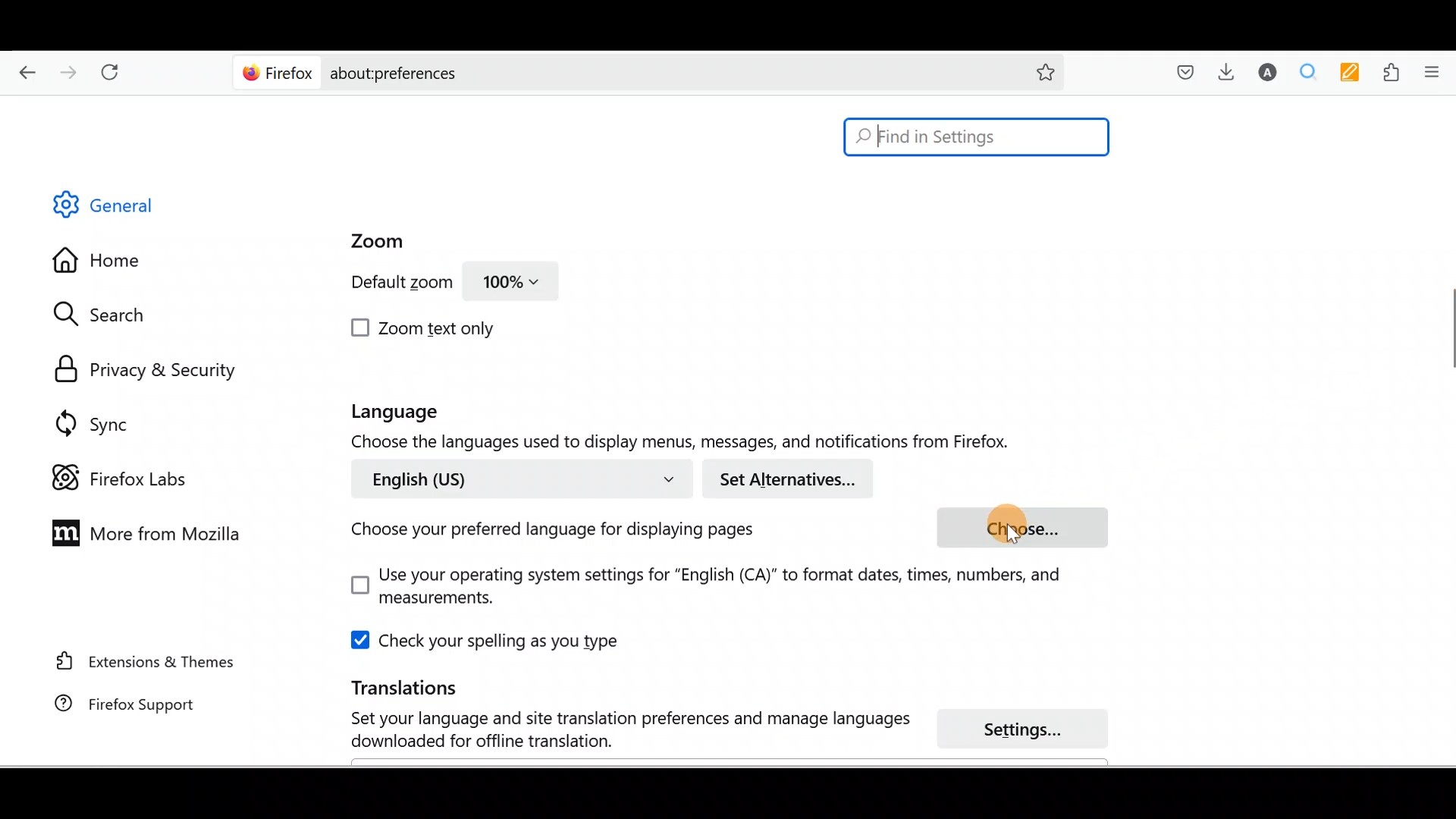  Describe the element at coordinates (124, 479) in the screenshot. I see `Firefox labs` at that location.